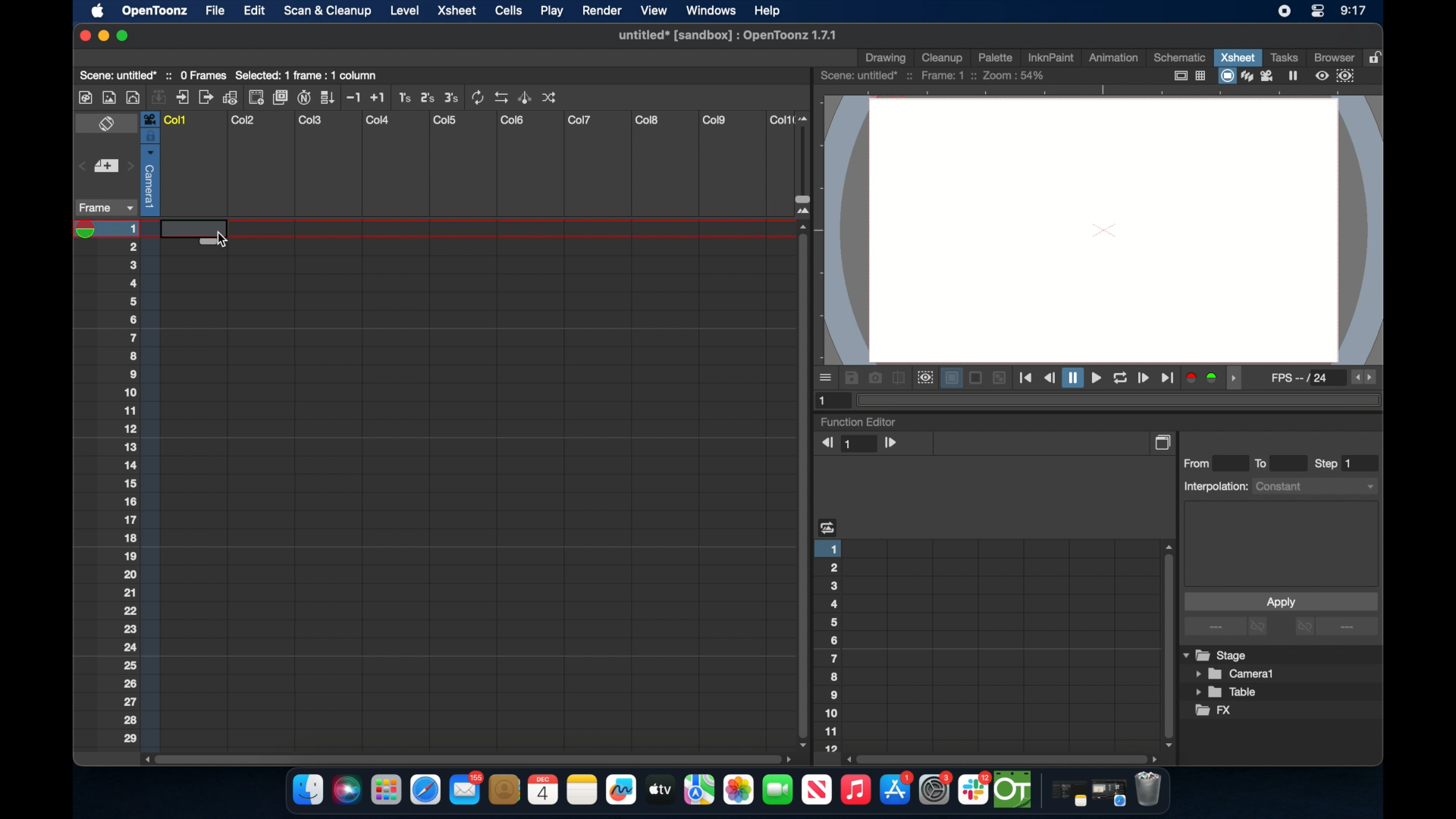 The height and width of the screenshot is (819, 1456). What do you see at coordinates (1266, 463) in the screenshot?
I see `to` at bounding box center [1266, 463].